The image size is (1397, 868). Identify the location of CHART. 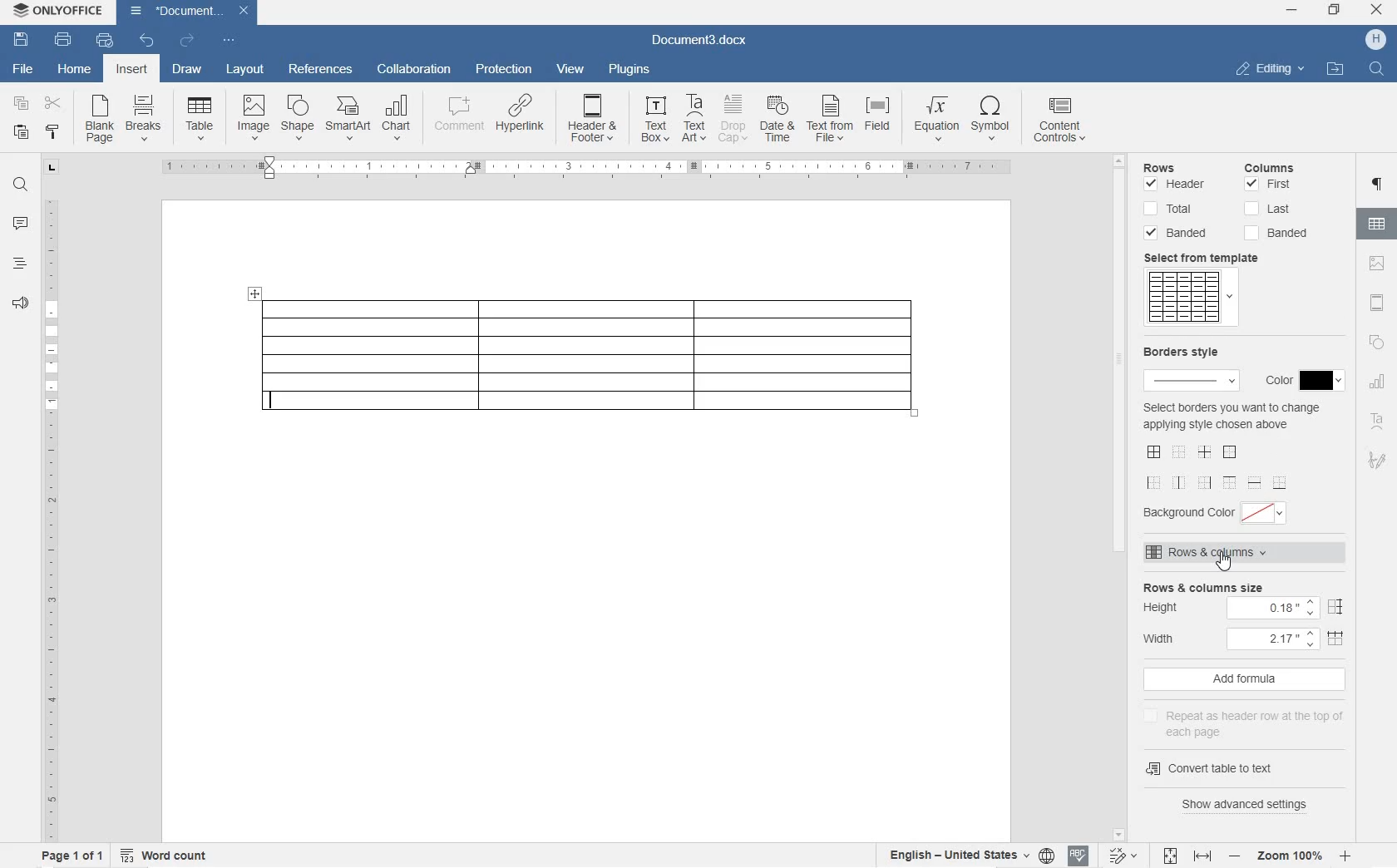
(396, 121).